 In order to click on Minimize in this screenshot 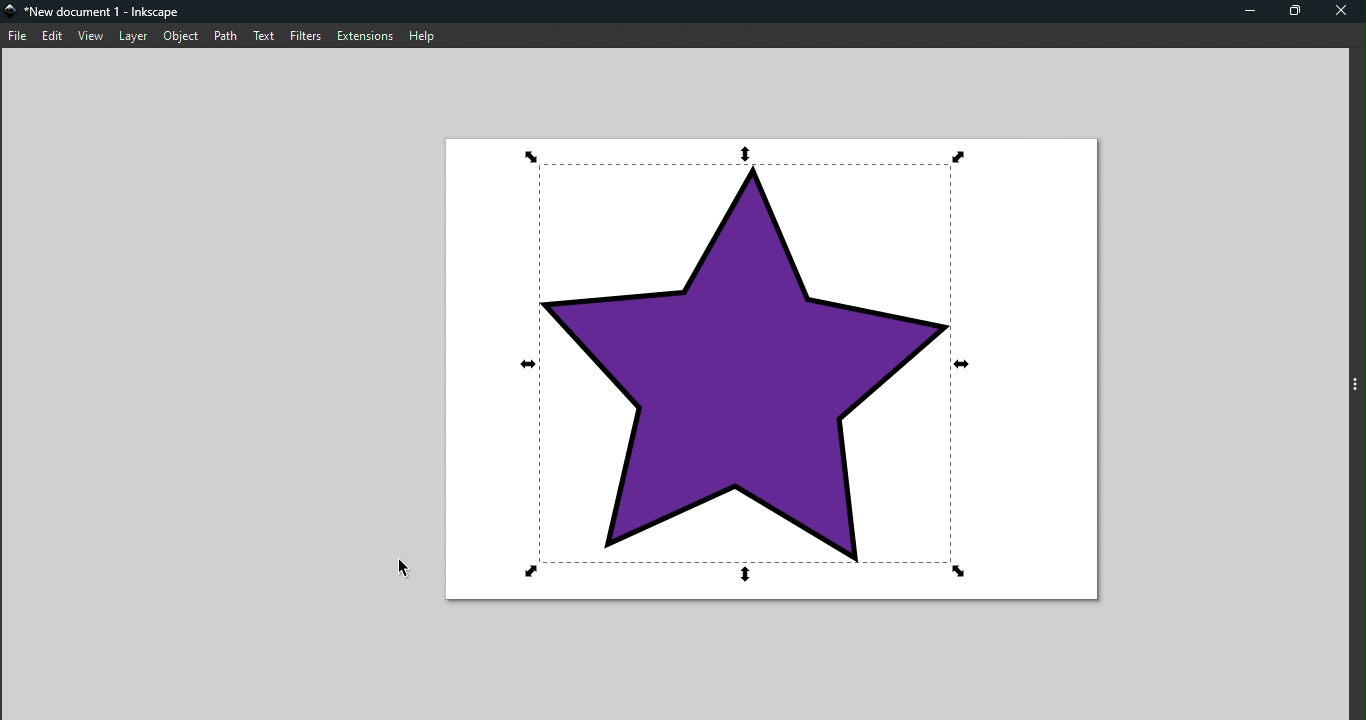, I will do `click(1247, 11)`.